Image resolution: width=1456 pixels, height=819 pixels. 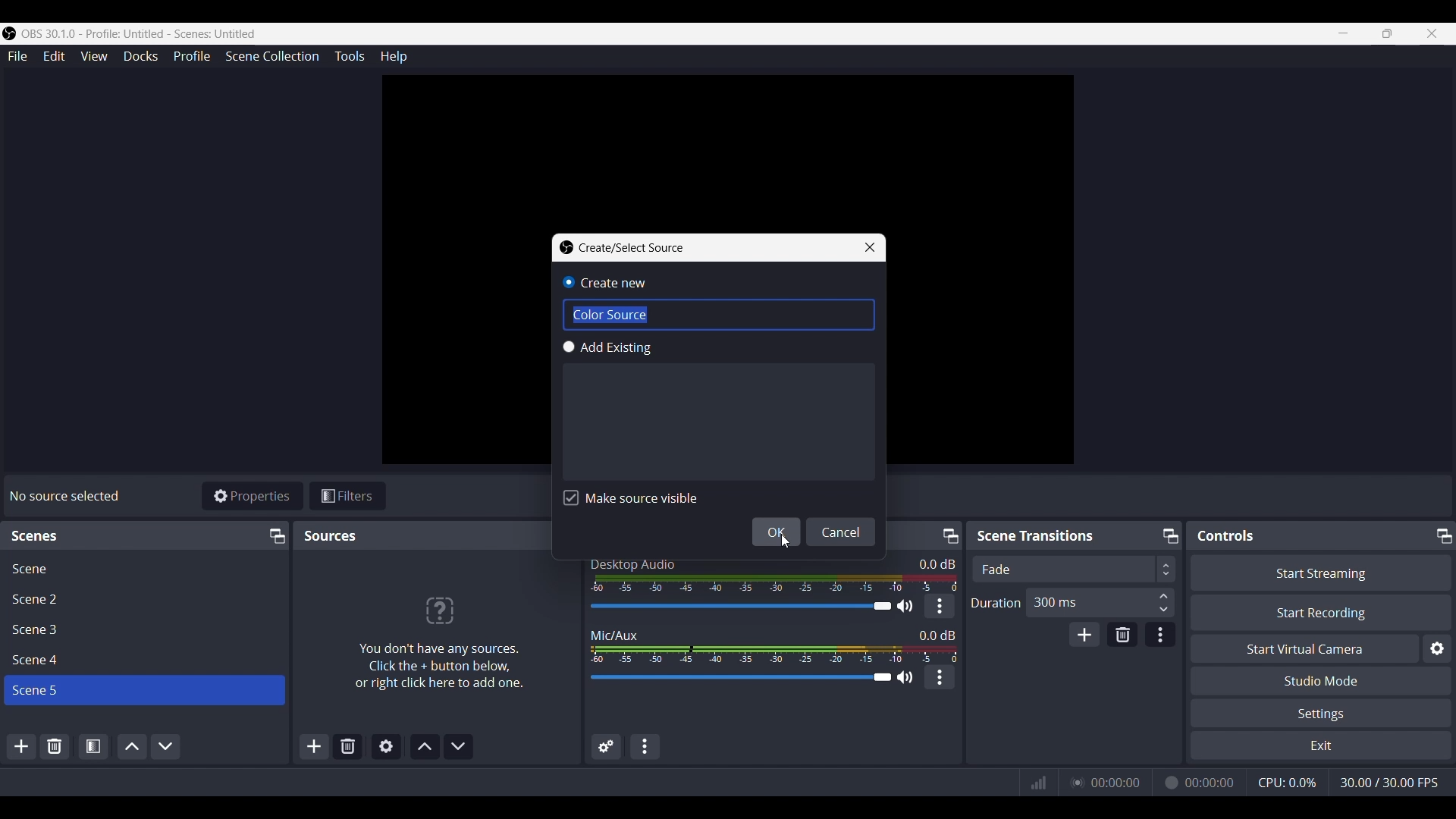 I want to click on Duration Adjuster, so click(x=996, y=602).